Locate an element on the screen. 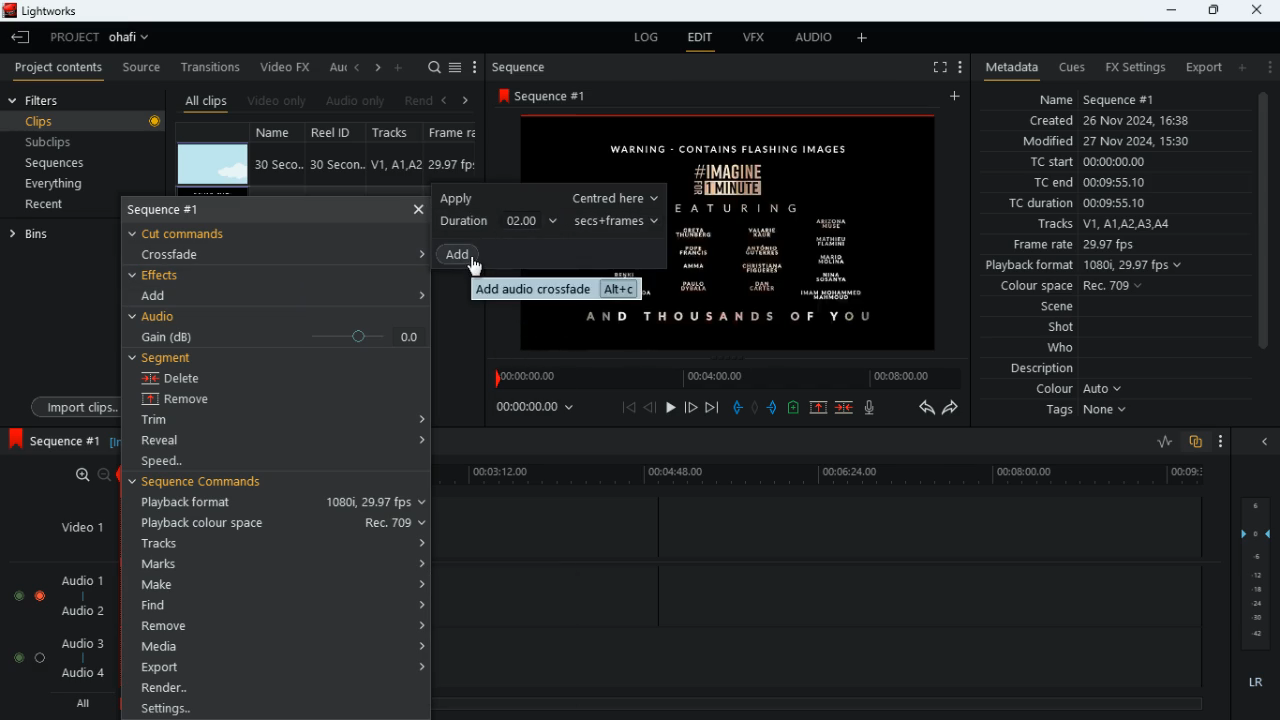  audio 1 is located at coordinates (78, 581).